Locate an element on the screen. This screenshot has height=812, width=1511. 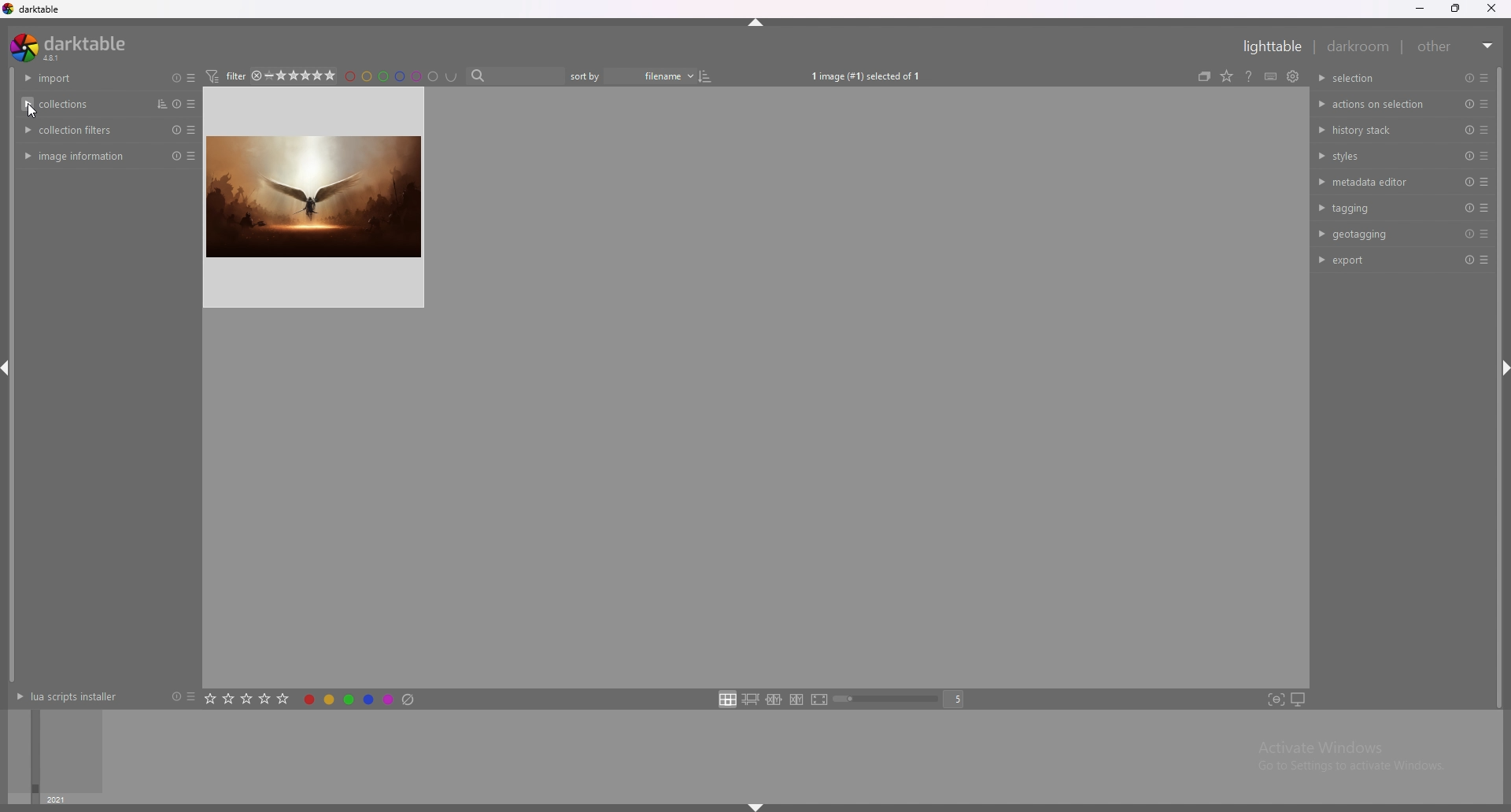
culling layout in dynamic mode is located at coordinates (796, 699).